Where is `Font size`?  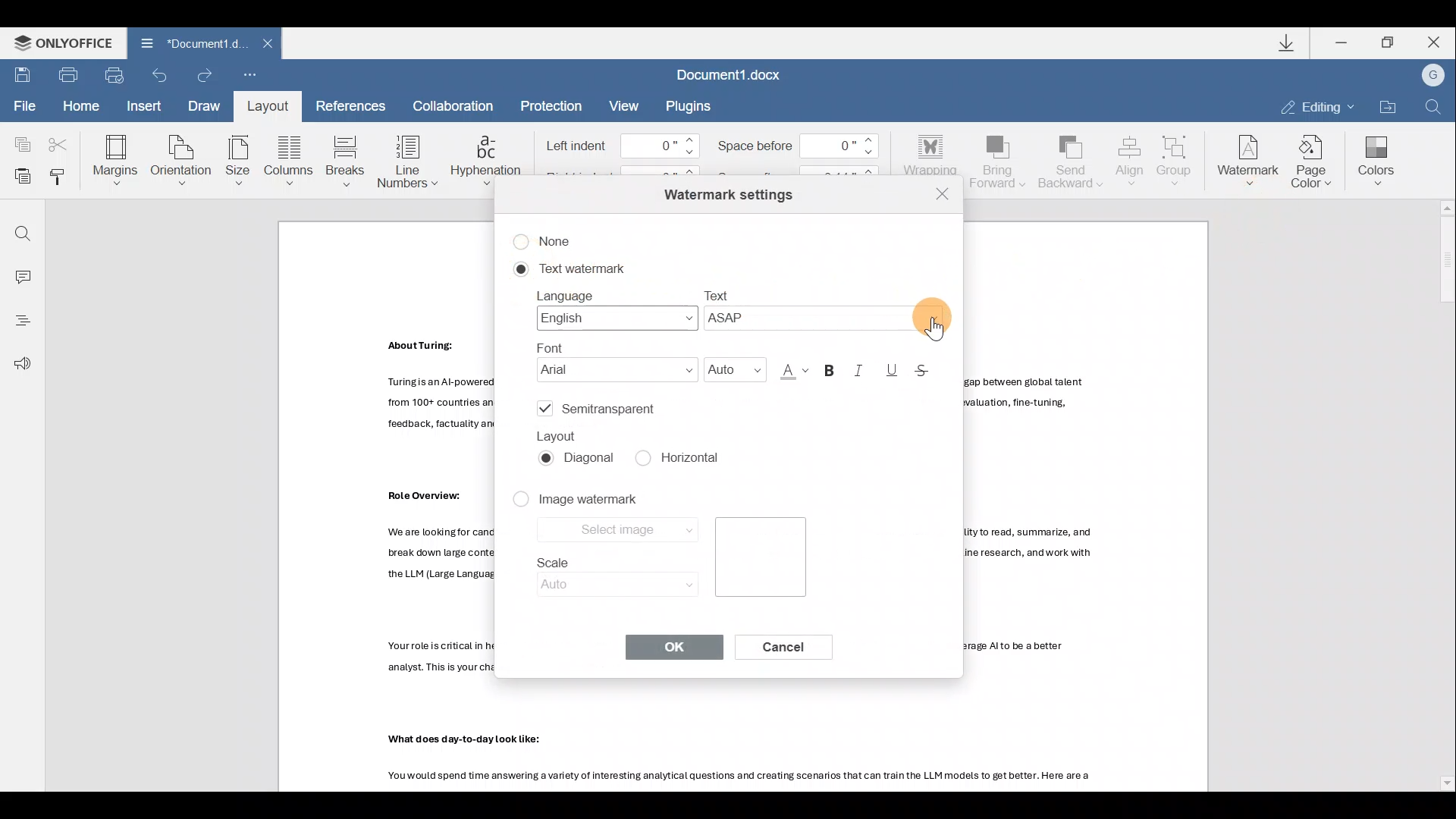
Font size is located at coordinates (731, 367).